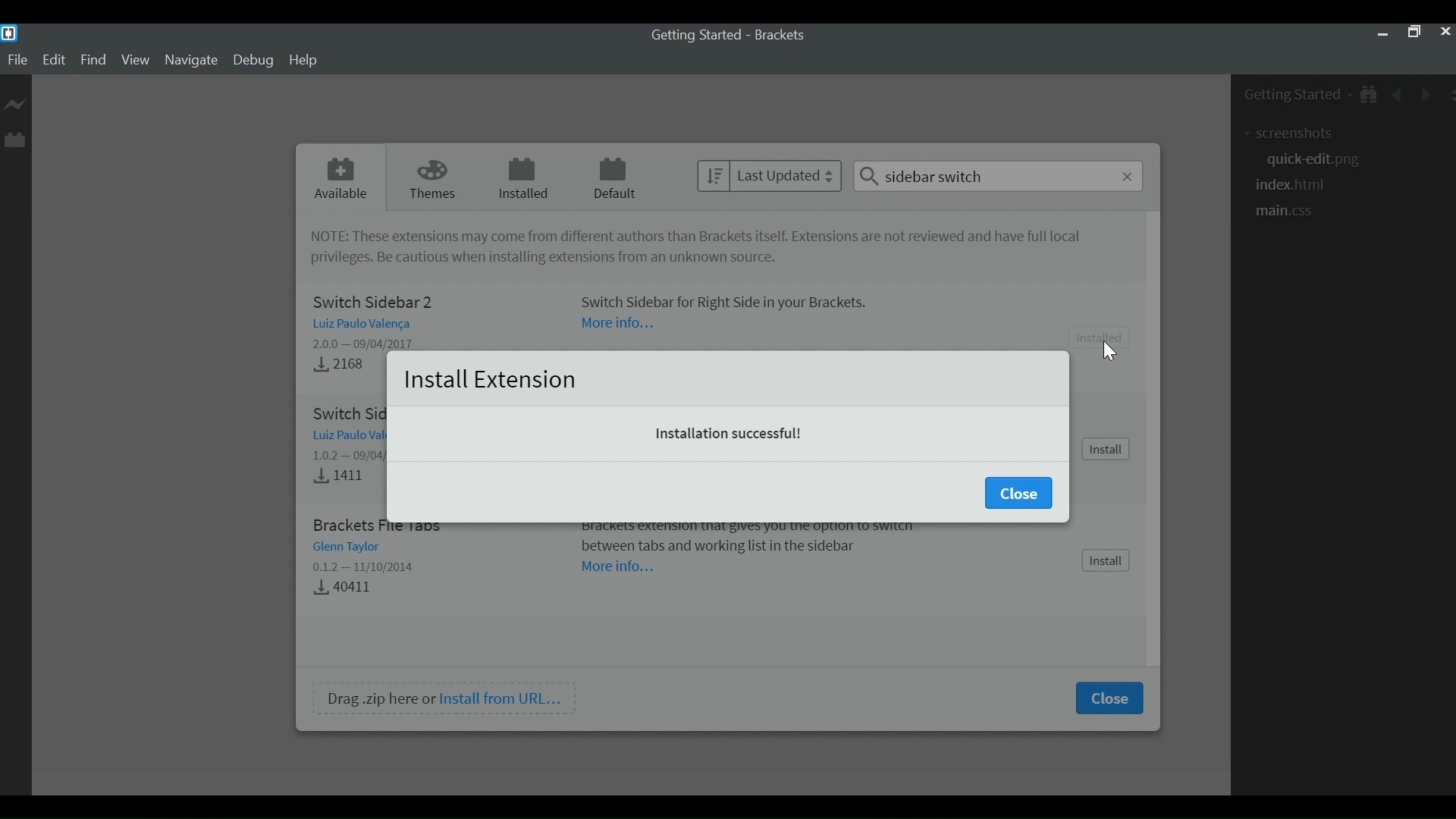 Image resolution: width=1456 pixels, height=819 pixels. I want to click on Switch Side for right side, so click(719, 304).